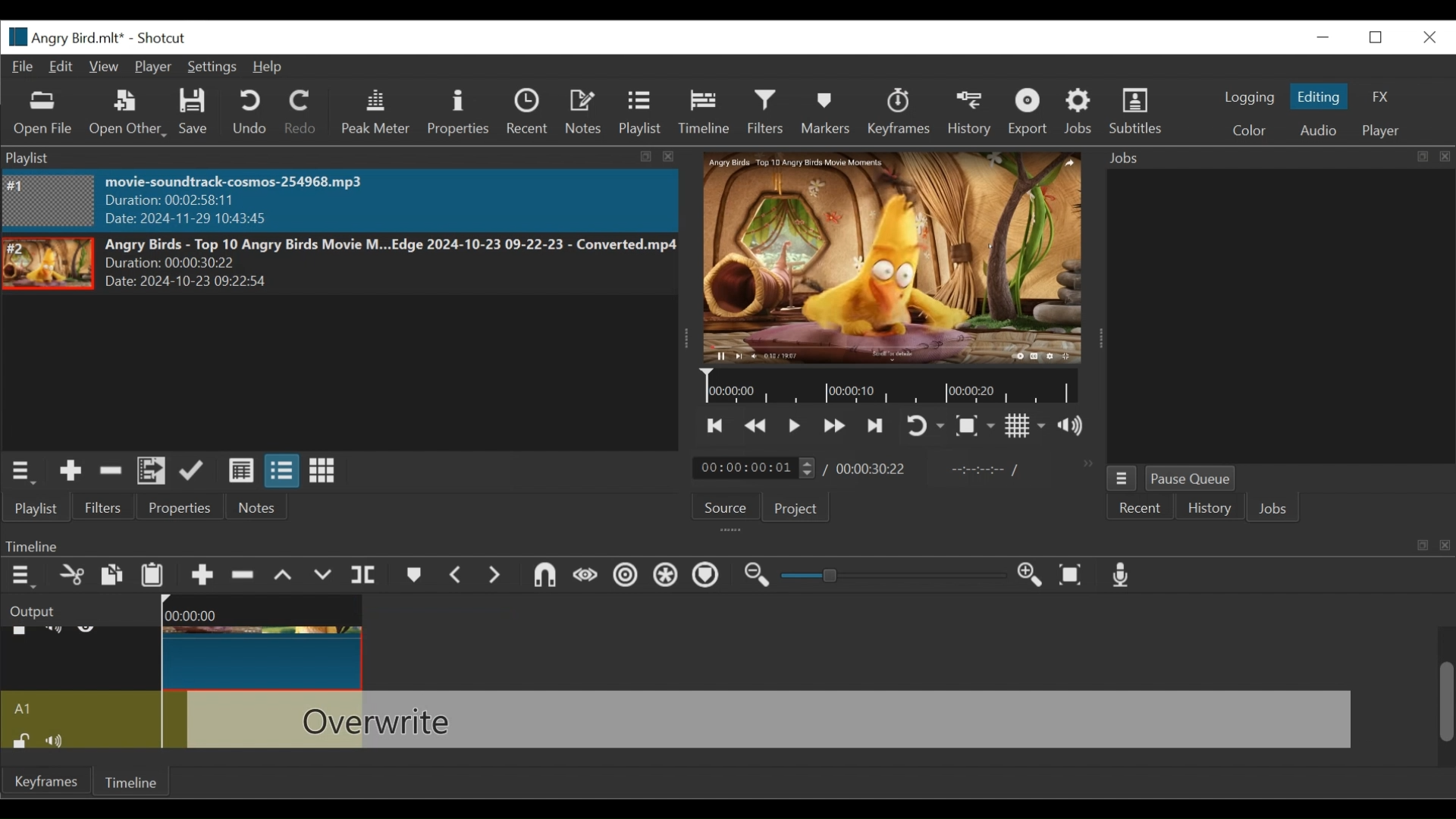 The height and width of the screenshot is (819, 1456). Describe the element at coordinates (183, 508) in the screenshot. I see `Properties` at that location.